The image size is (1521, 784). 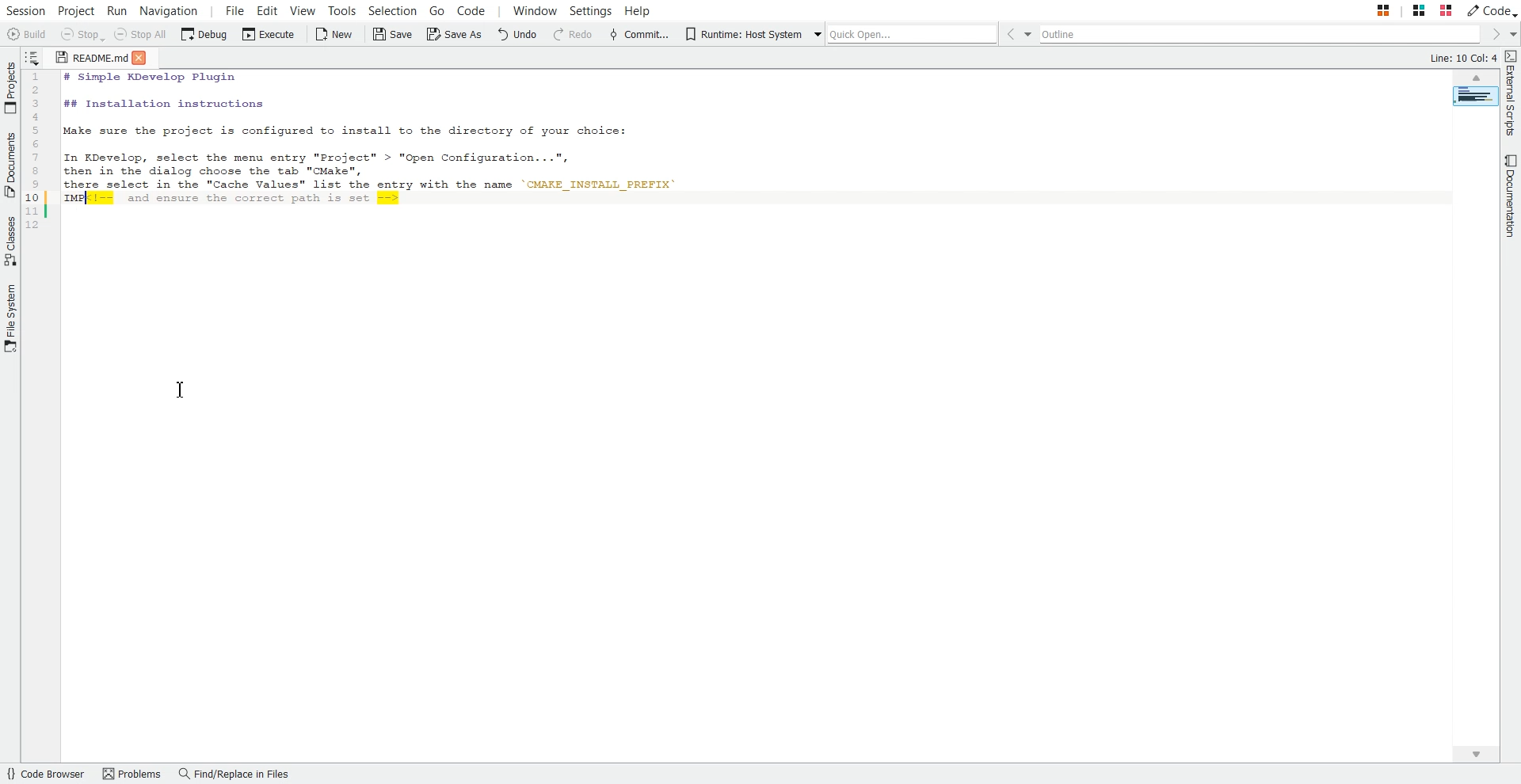 I want to click on Outline, so click(x=1264, y=34).